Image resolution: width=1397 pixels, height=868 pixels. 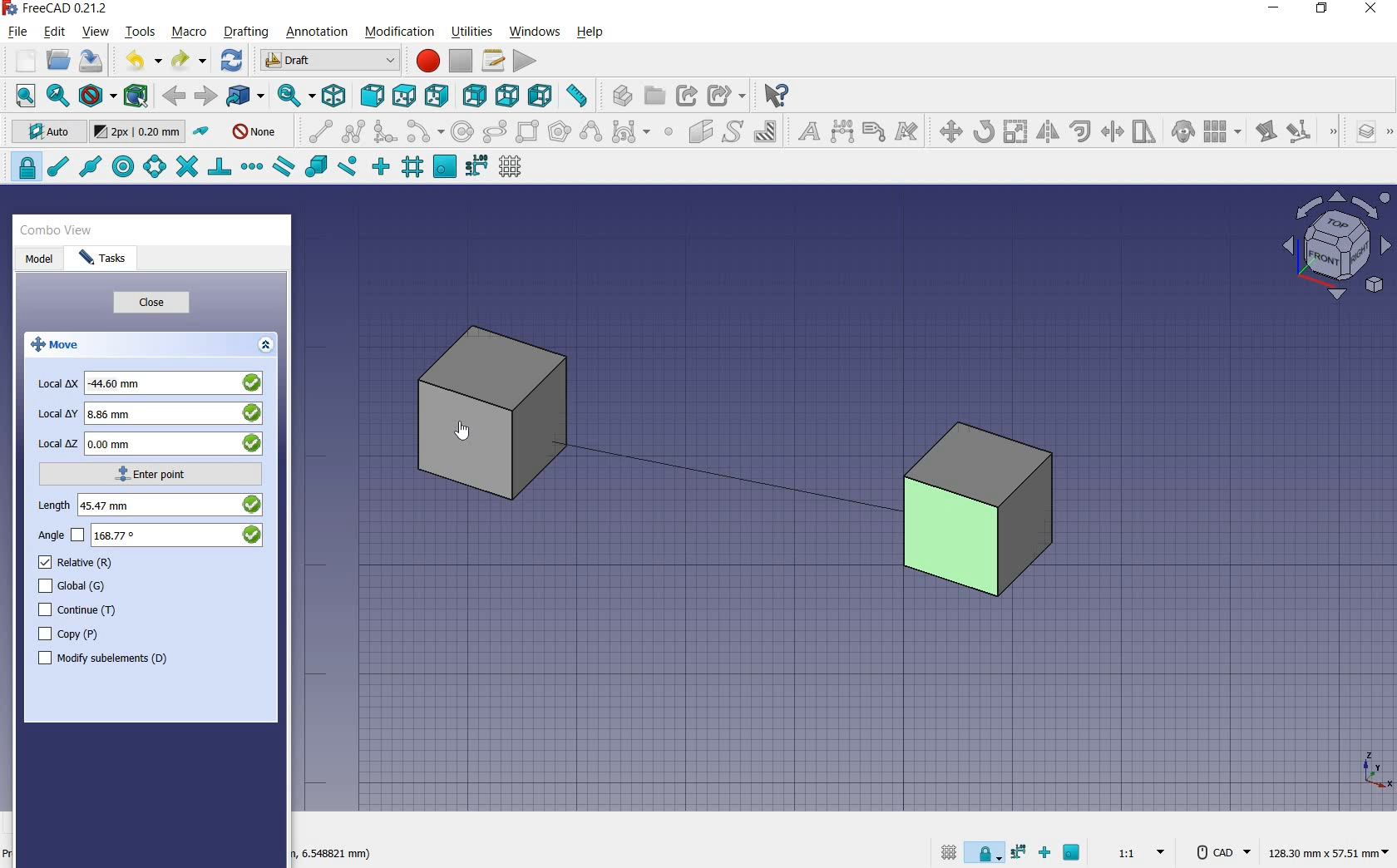 What do you see at coordinates (400, 32) in the screenshot?
I see `modification` at bounding box center [400, 32].